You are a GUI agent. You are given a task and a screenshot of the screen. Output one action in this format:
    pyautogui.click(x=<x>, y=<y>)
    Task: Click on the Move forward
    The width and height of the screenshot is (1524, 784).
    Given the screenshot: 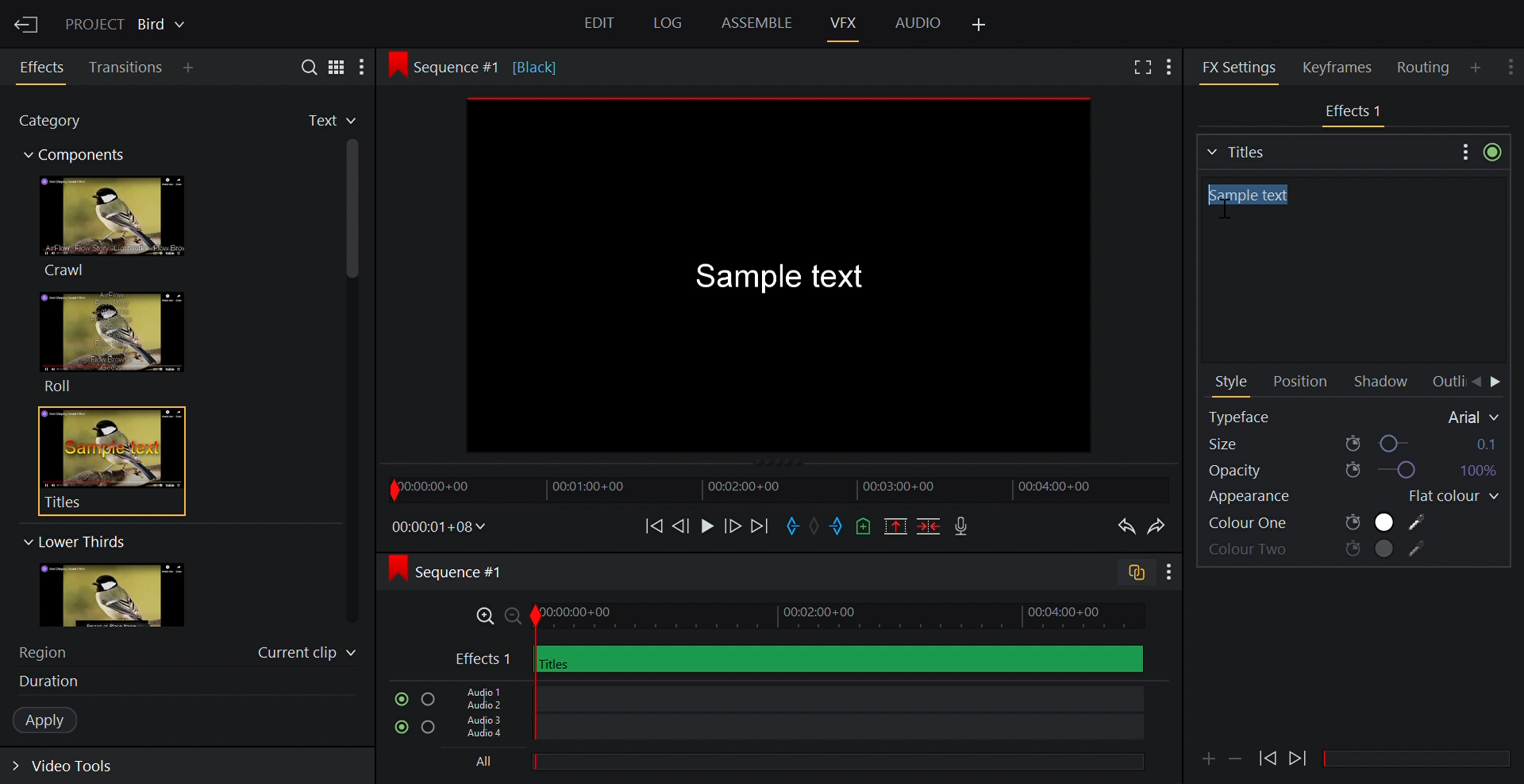 What is the action you would take?
    pyautogui.click(x=759, y=527)
    